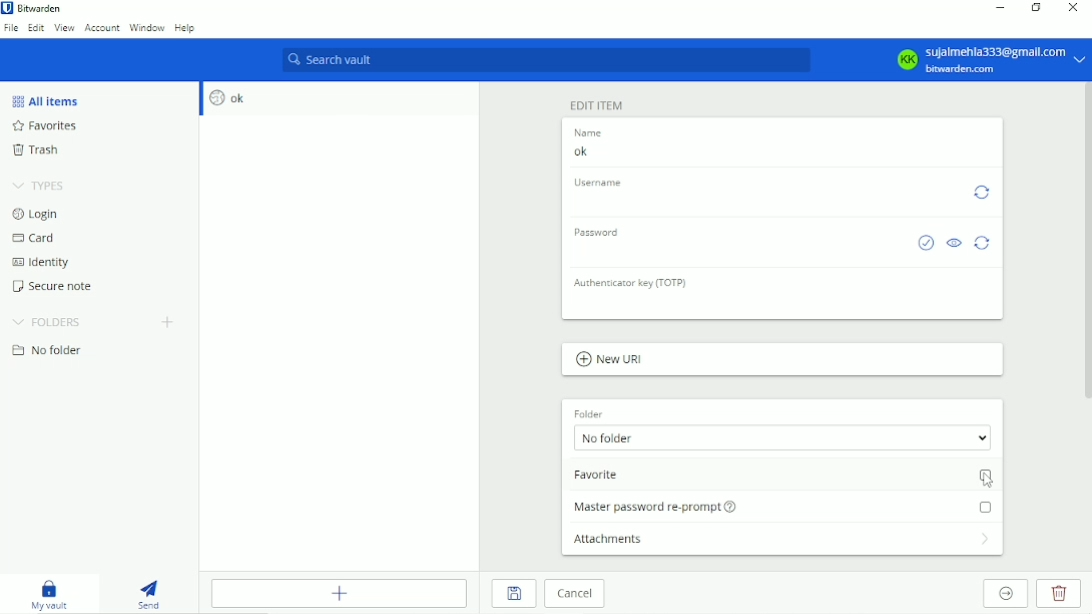 This screenshot has width=1092, height=614. What do you see at coordinates (155, 591) in the screenshot?
I see `Send` at bounding box center [155, 591].